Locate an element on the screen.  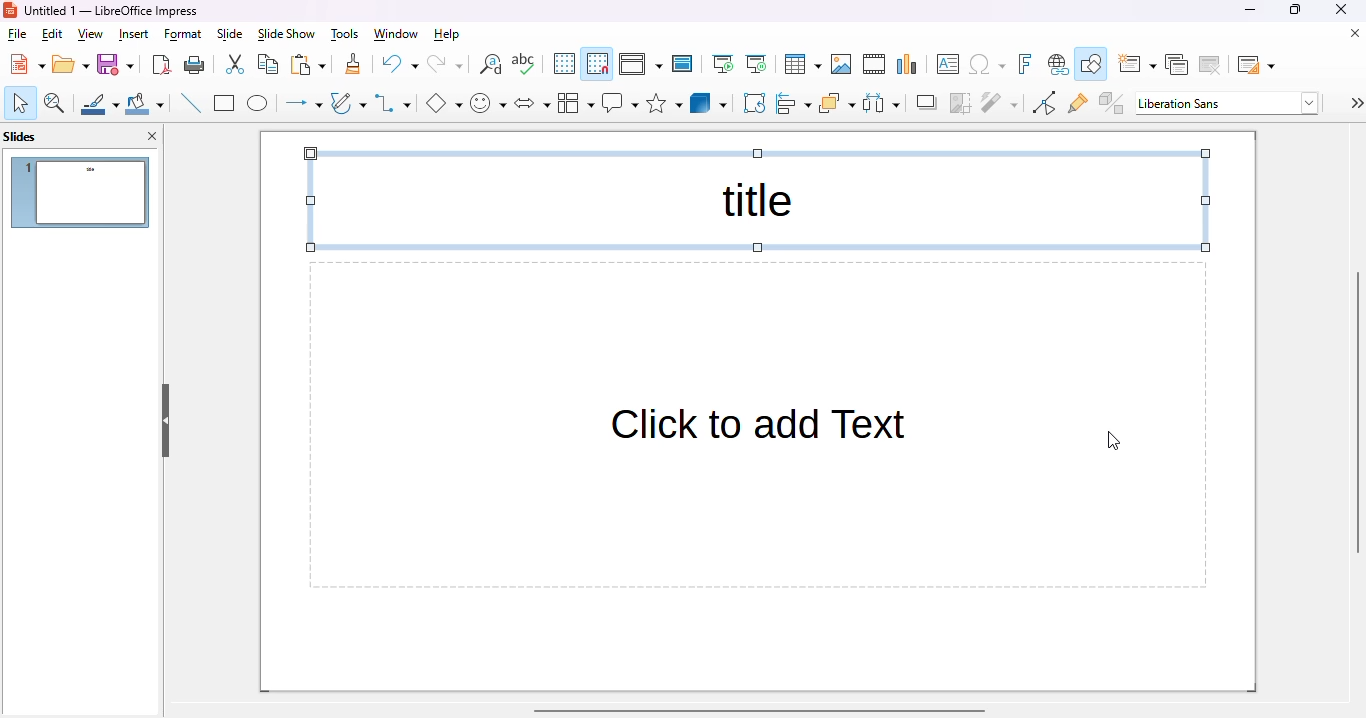
fill color is located at coordinates (145, 103).